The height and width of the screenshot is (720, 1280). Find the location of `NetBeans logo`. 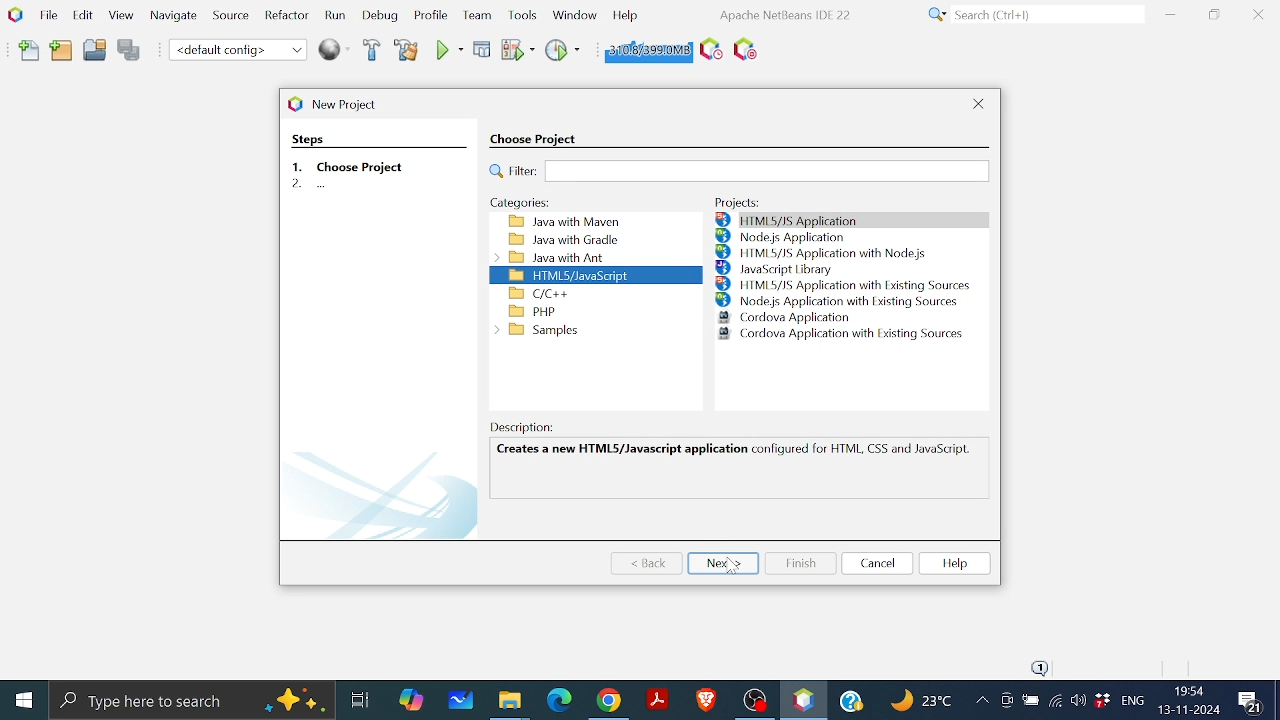

NetBeans logo is located at coordinates (14, 14).